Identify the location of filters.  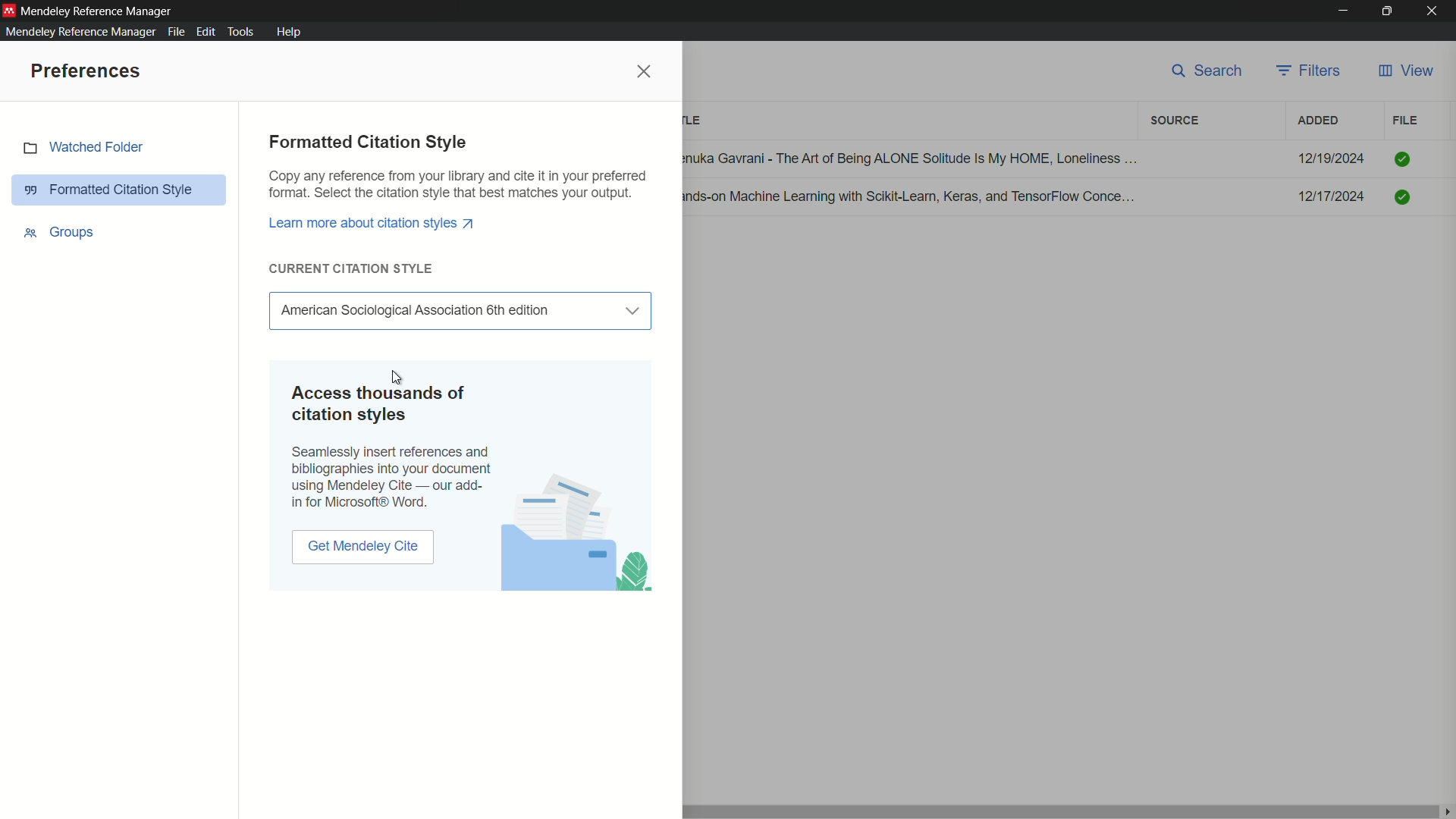
(1311, 72).